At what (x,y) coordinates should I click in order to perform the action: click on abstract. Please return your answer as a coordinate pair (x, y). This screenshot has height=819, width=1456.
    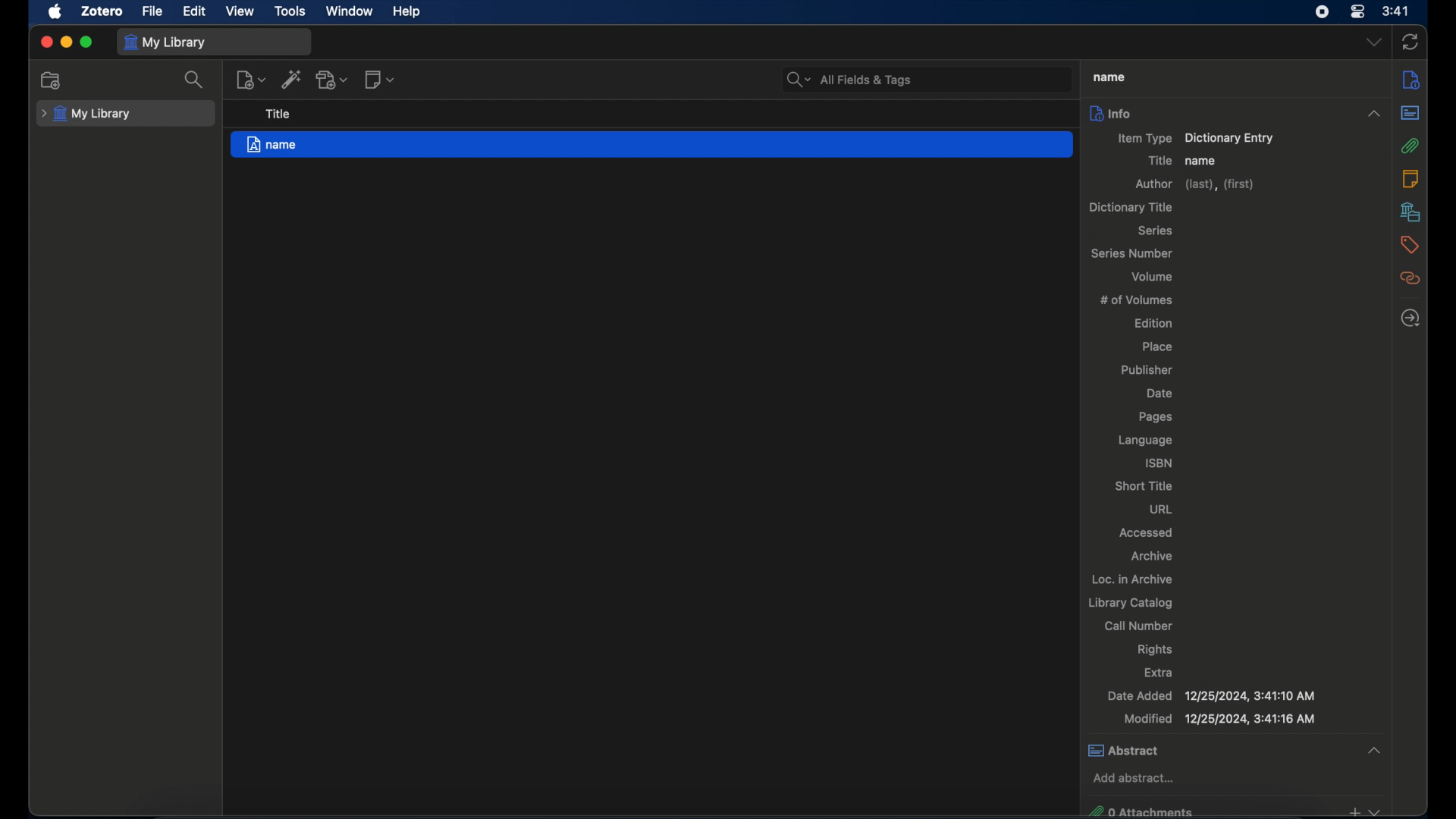
    Looking at the image, I should click on (1237, 750).